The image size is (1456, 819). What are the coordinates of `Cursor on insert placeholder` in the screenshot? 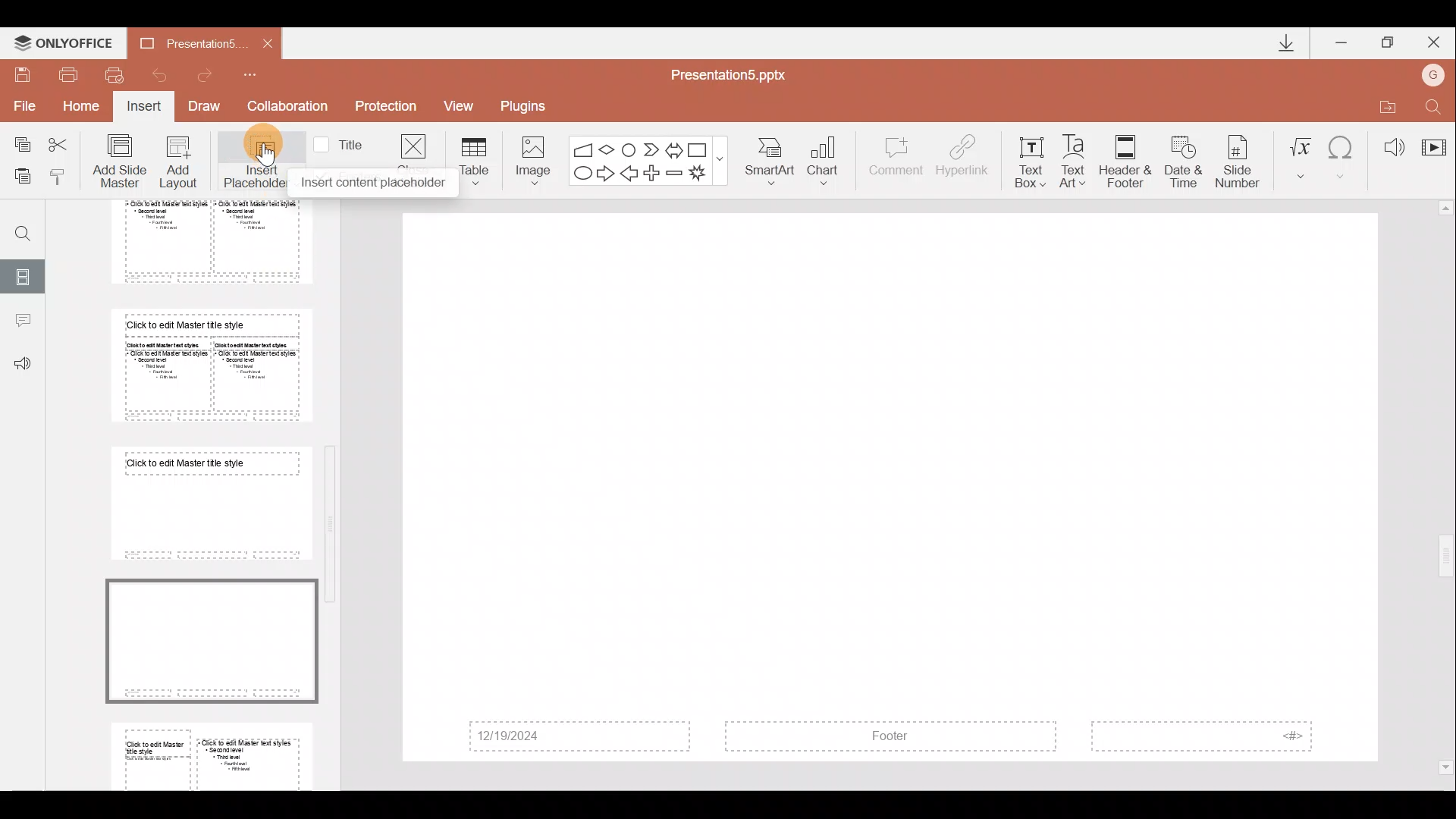 It's located at (274, 150).